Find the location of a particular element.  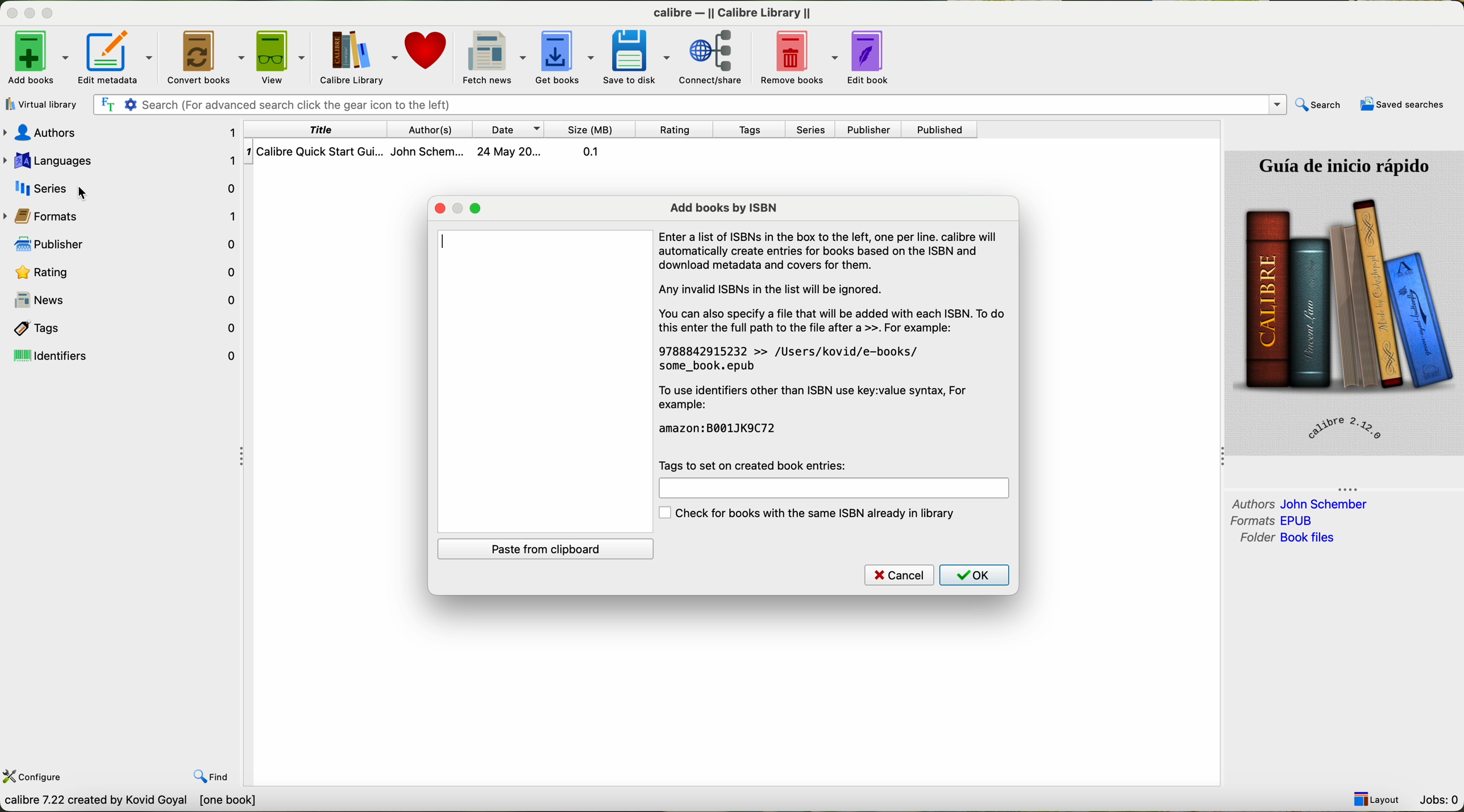

cancel button is located at coordinates (895, 575).